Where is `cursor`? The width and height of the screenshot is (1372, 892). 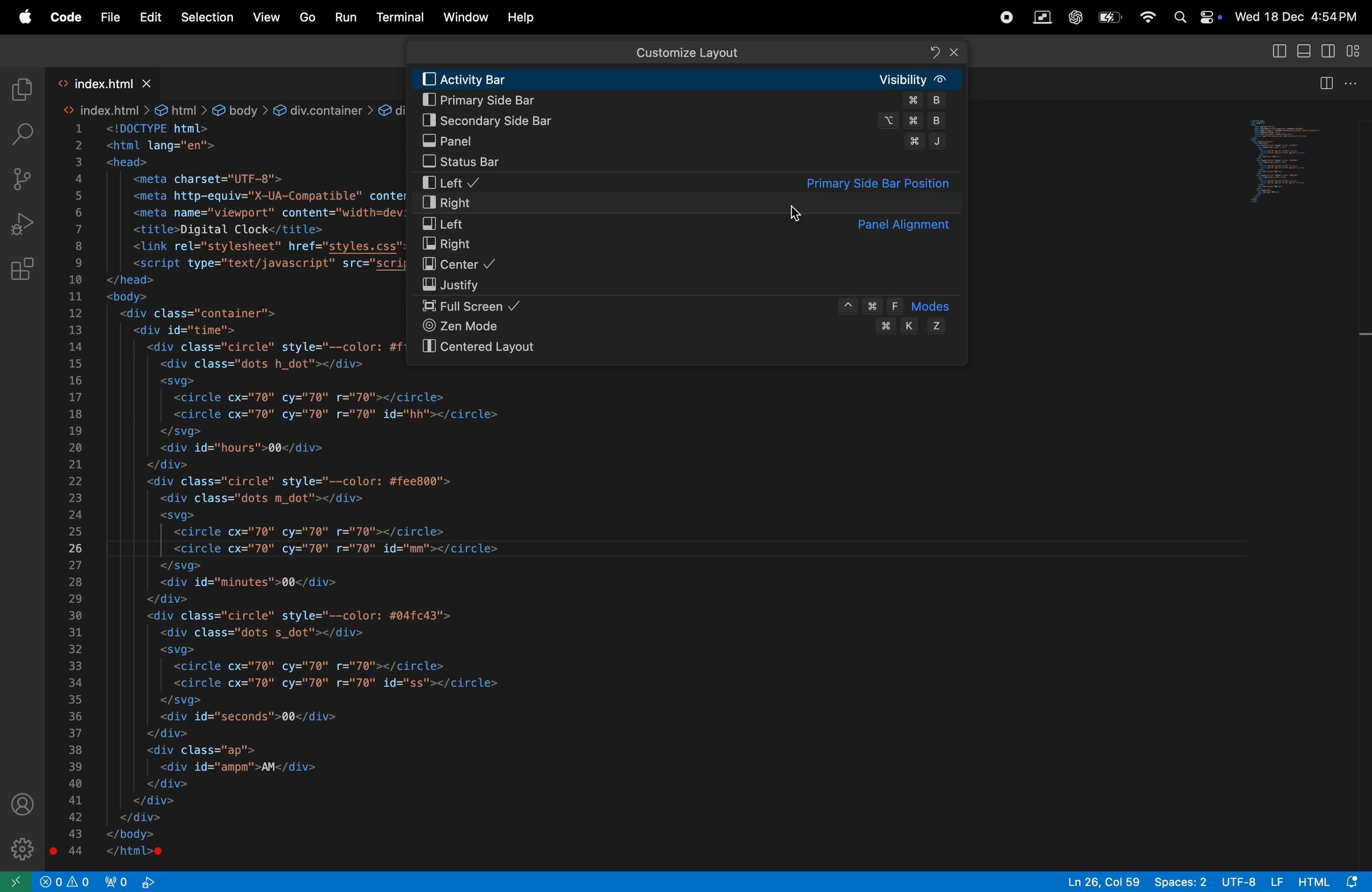 cursor is located at coordinates (796, 212).